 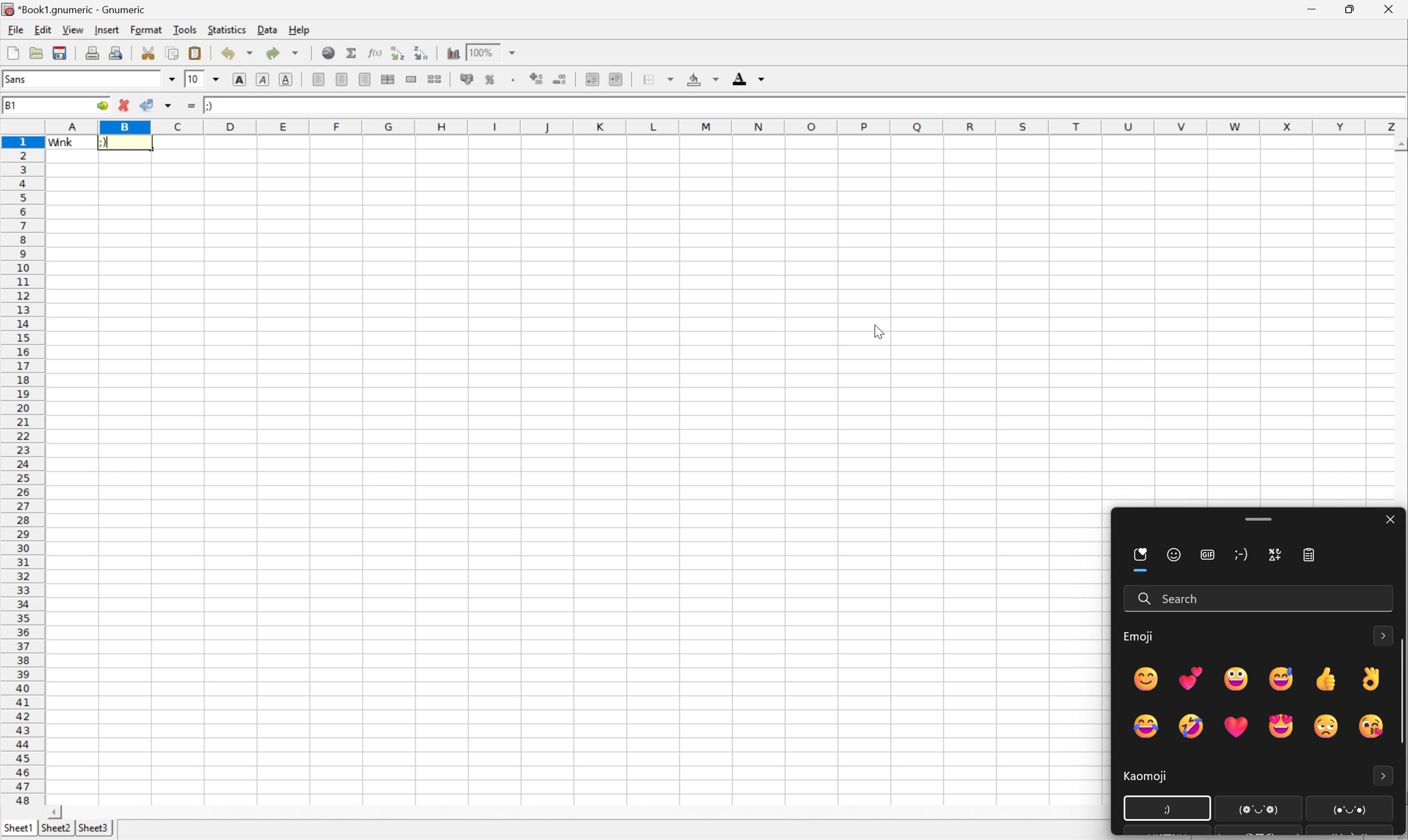 What do you see at coordinates (1389, 11) in the screenshot?
I see `close` at bounding box center [1389, 11].